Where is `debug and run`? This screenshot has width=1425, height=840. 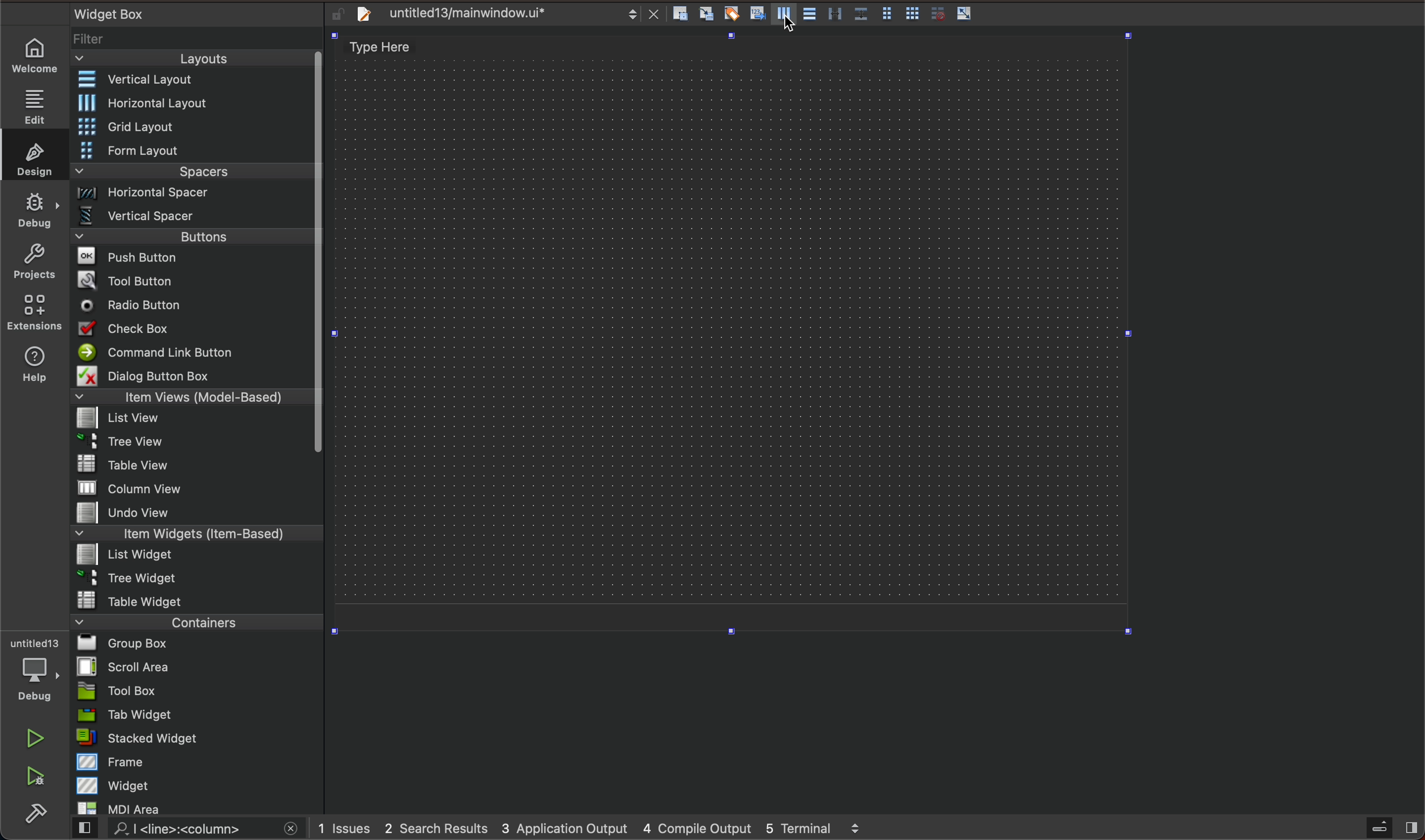
debug and run is located at coordinates (37, 775).